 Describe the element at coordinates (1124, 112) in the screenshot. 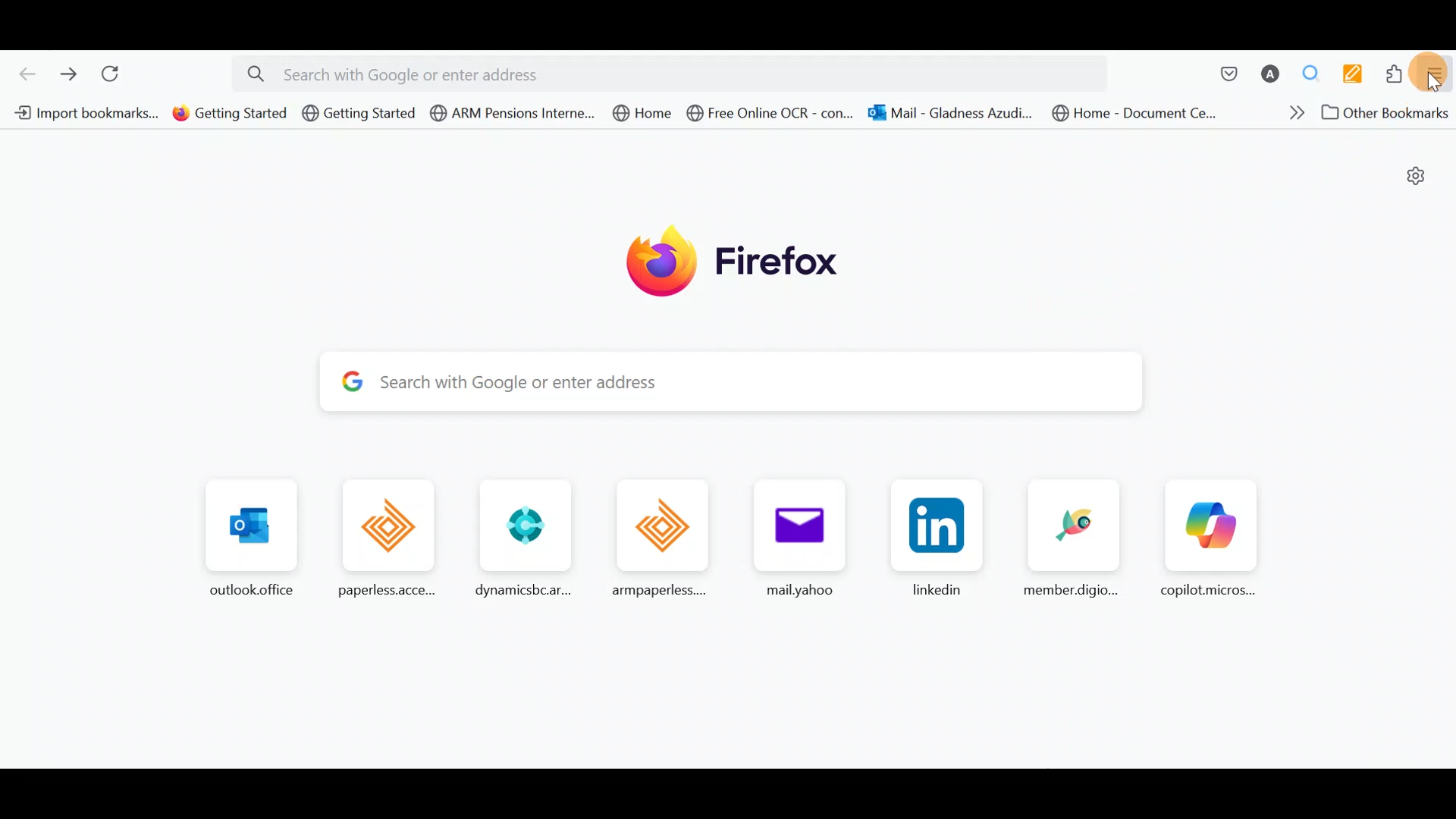

I see `@ Home - Document Ce...` at that location.